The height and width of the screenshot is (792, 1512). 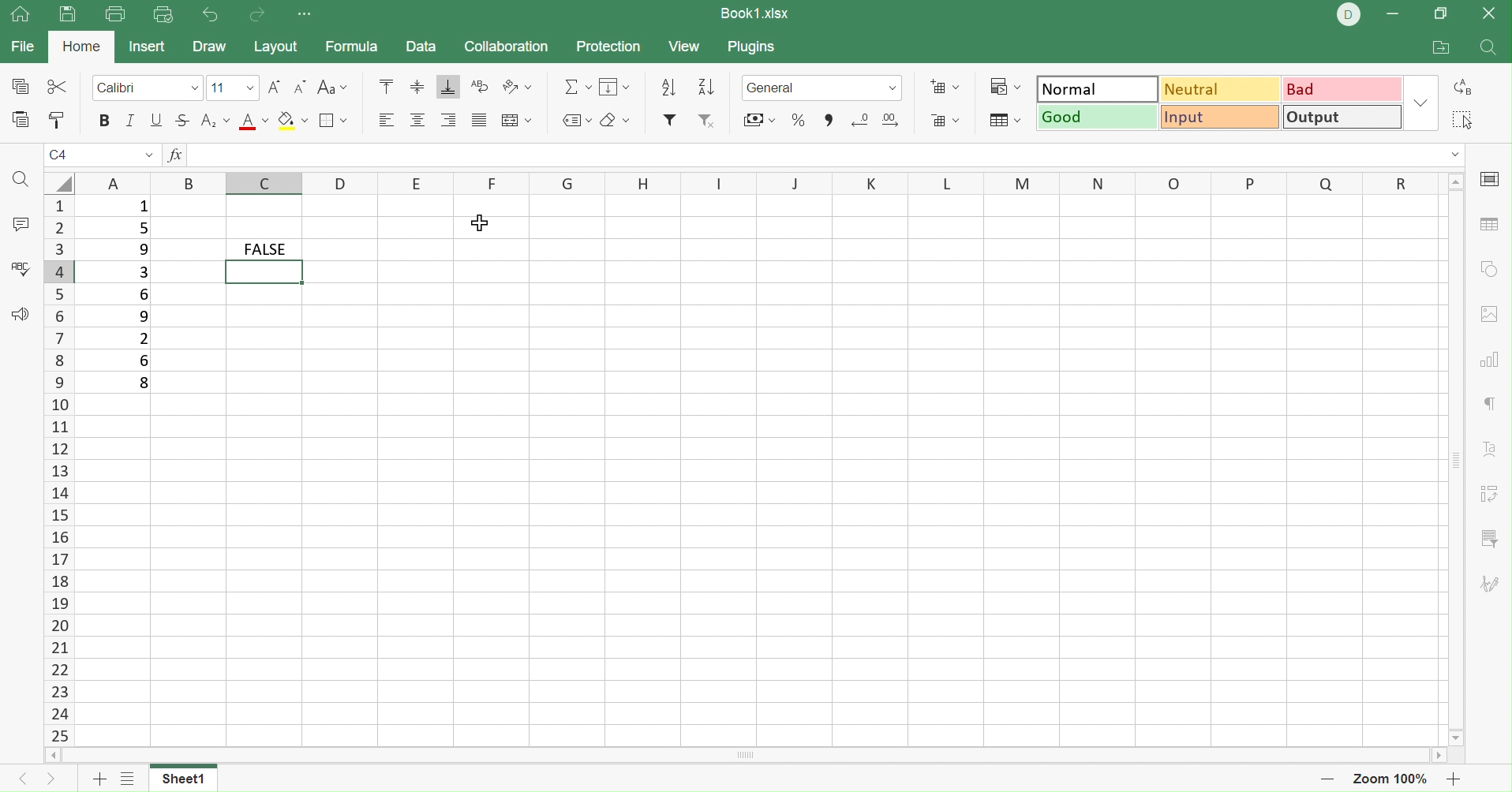 What do you see at coordinates (1327, 780) in the screenshot?
I see `Zoom out` at bounding box center [1327, 780].